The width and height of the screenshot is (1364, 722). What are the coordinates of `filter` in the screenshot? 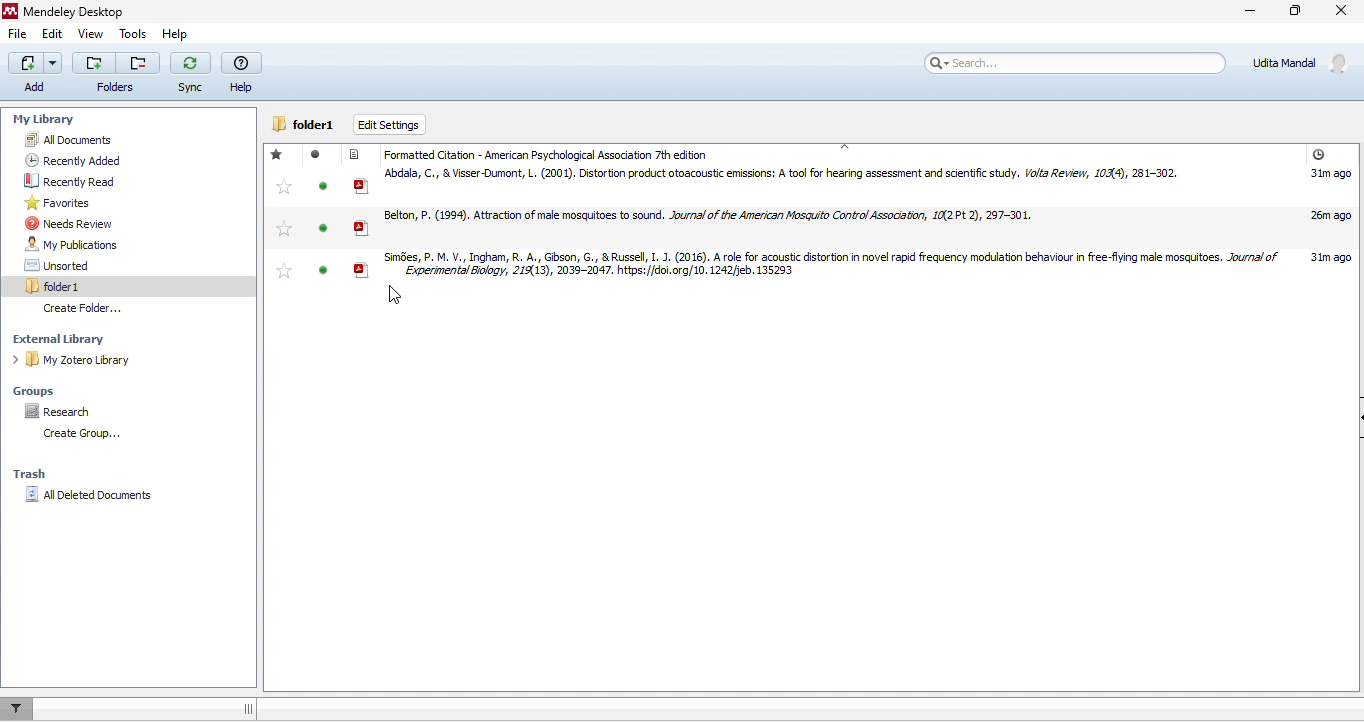 It's located at (14, 707).